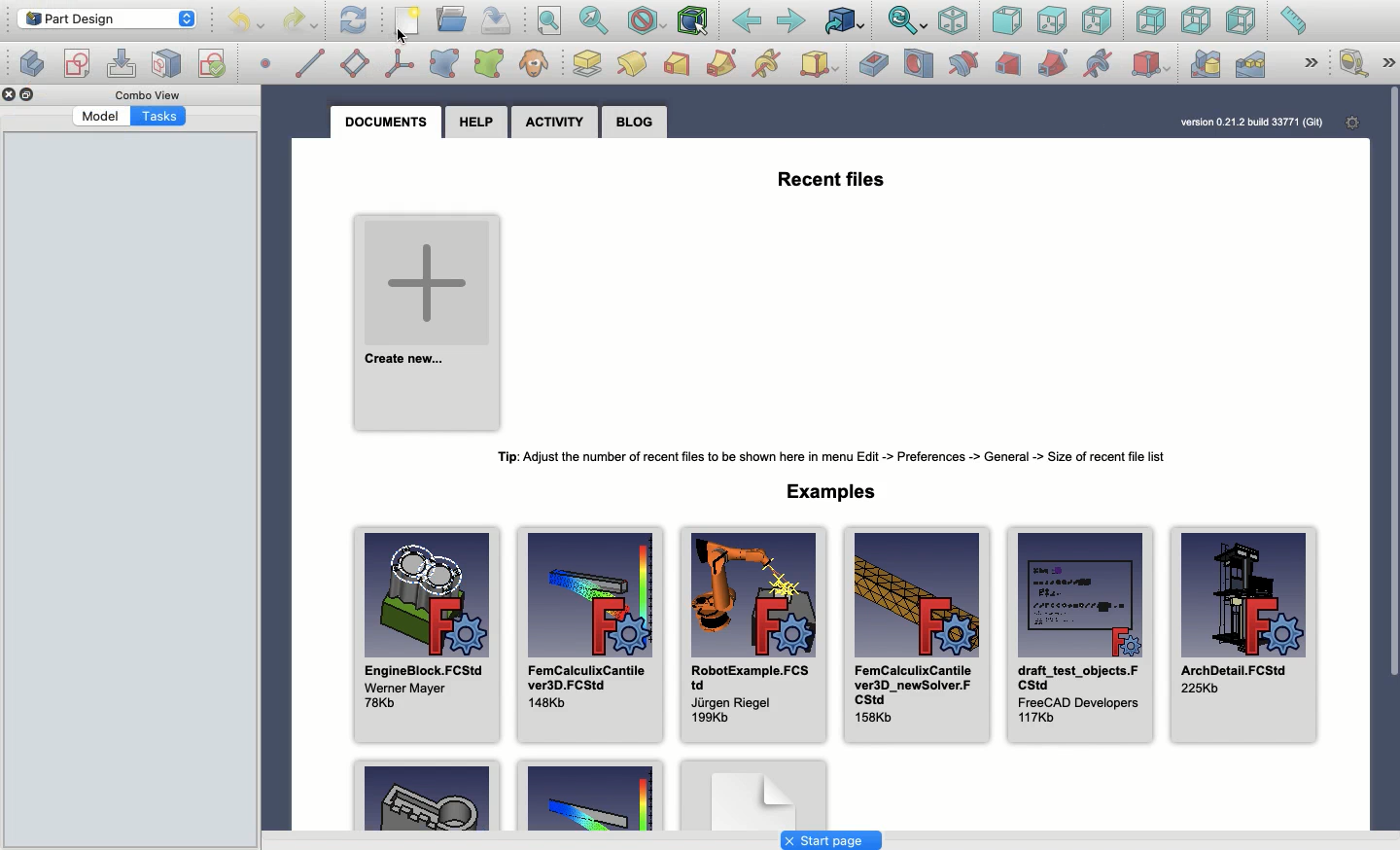 This screenshot has height=850, width=1400. I want to click on Datum line, so click(311, 62).